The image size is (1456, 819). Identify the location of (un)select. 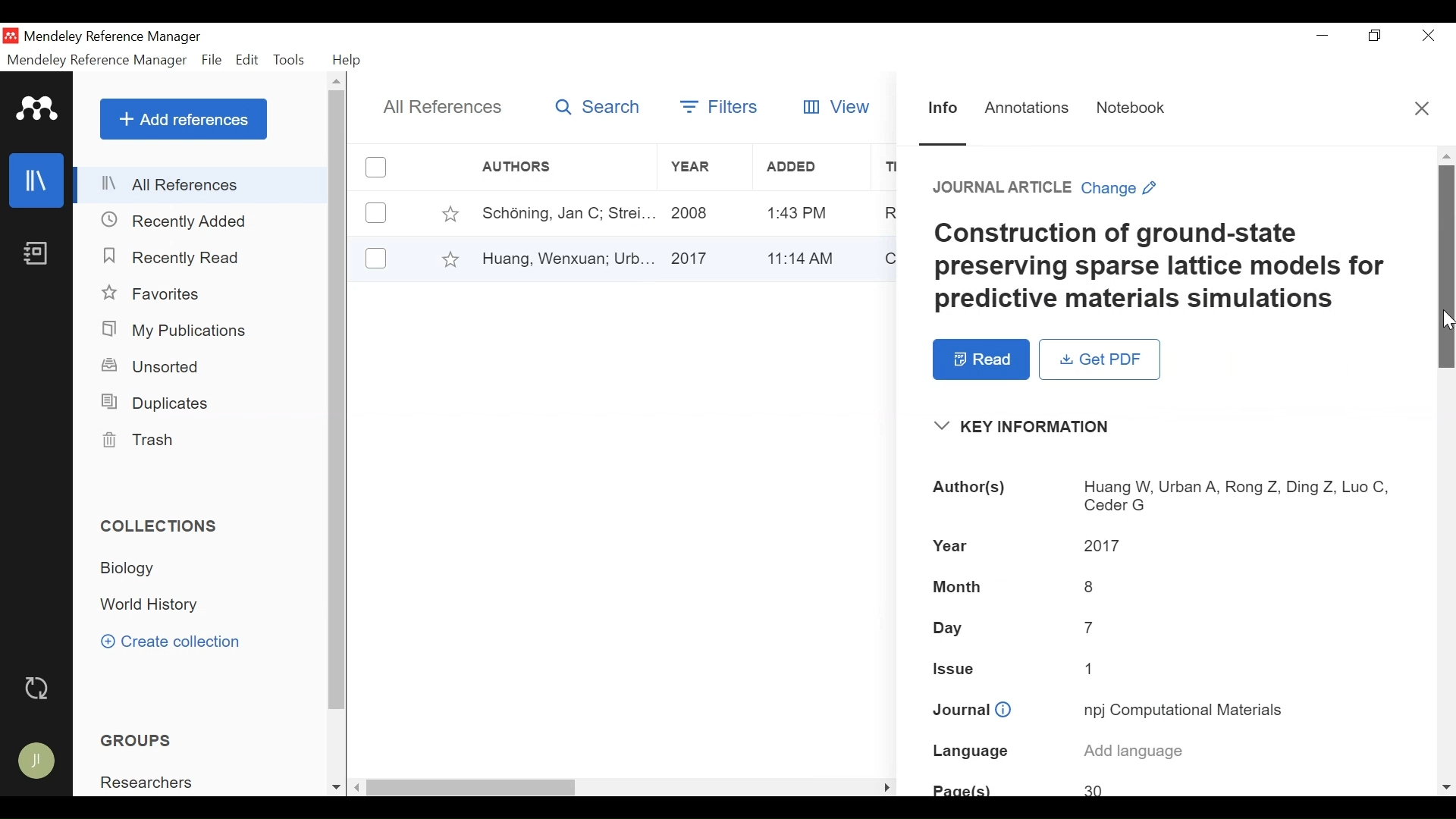
(376, 213).